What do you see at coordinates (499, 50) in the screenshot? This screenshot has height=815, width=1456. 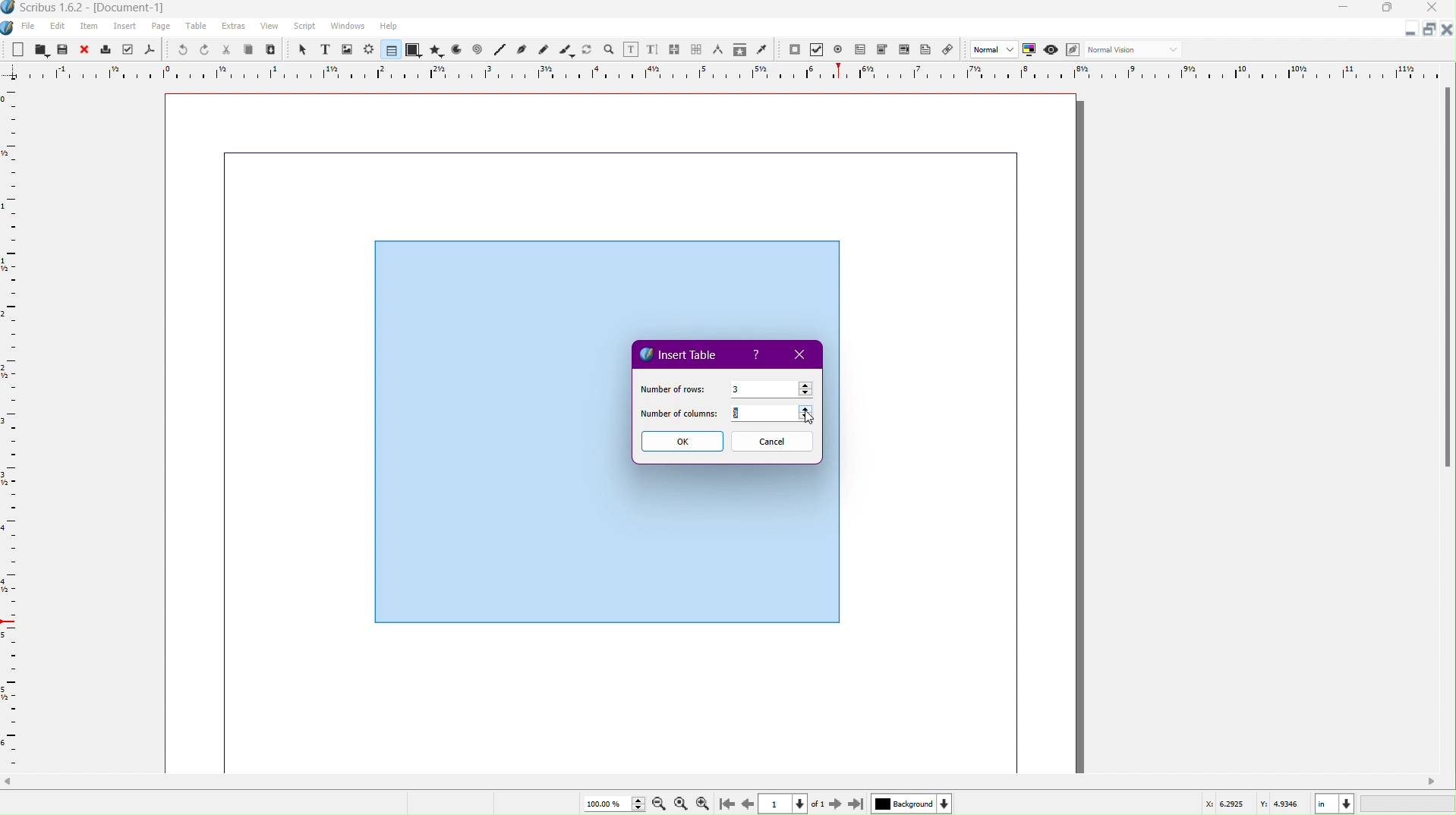 I see `Line` at bounding box center [499, 50].